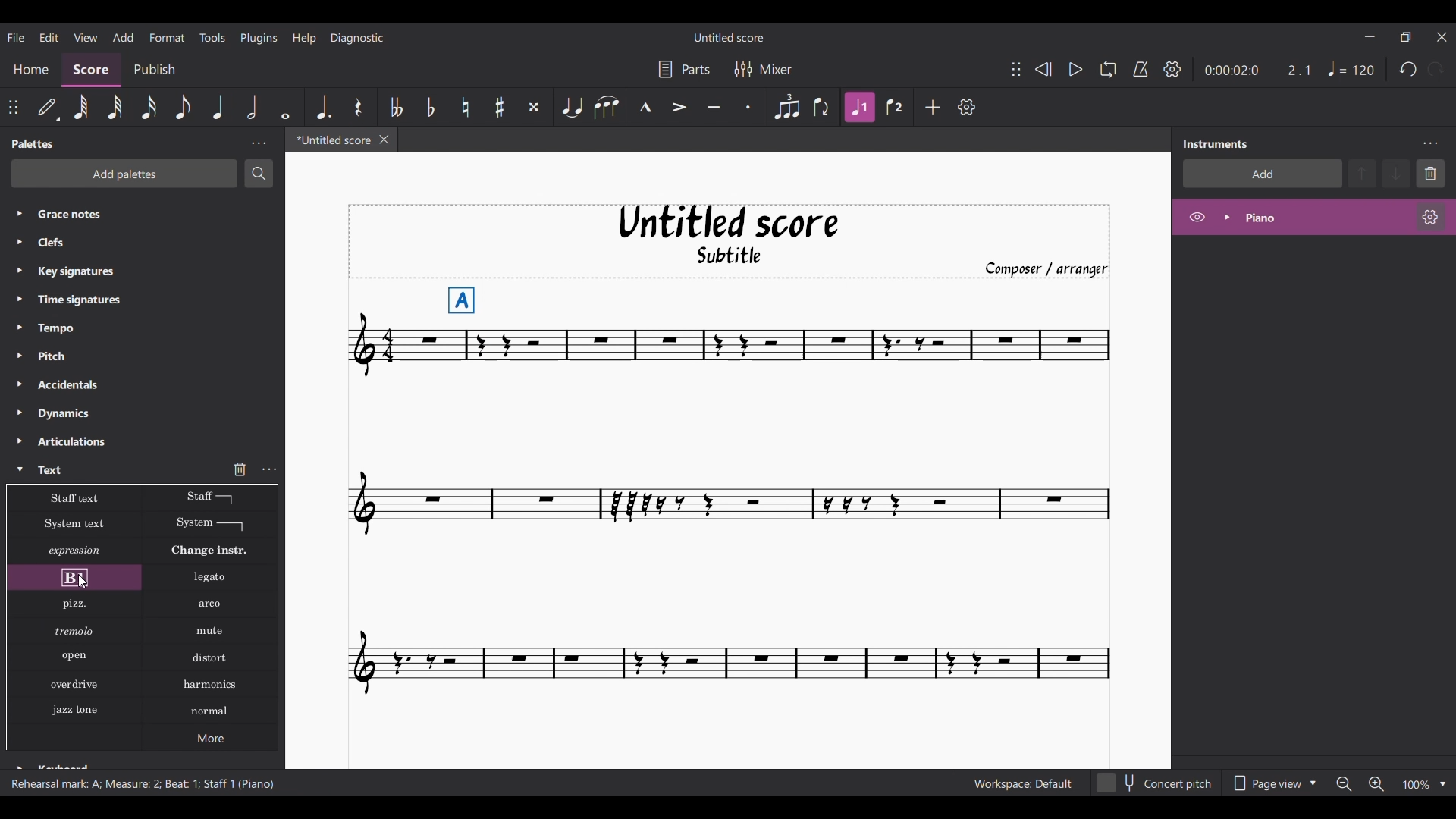 The height and width of the screenshot is (819, 1456). I want to click on Edit menu, so click(49, 37).